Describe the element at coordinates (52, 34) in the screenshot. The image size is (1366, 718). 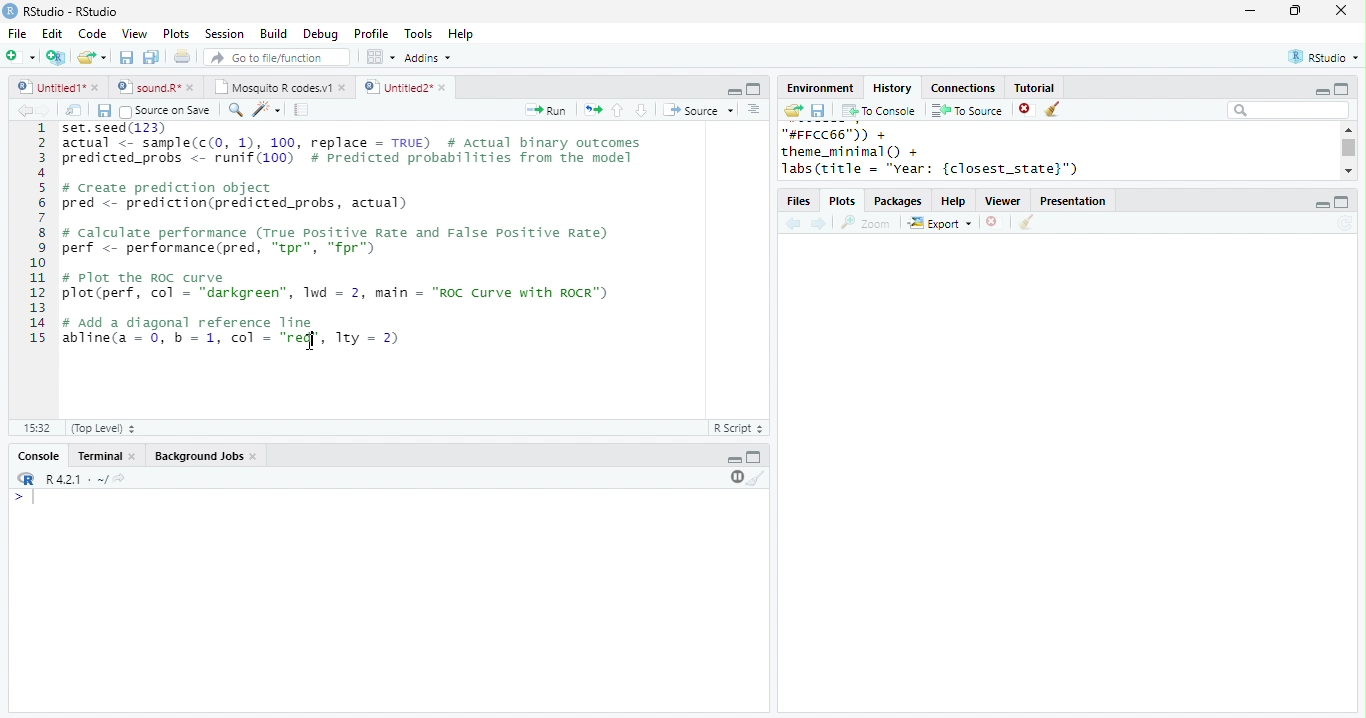
I see `Edit` at that location.